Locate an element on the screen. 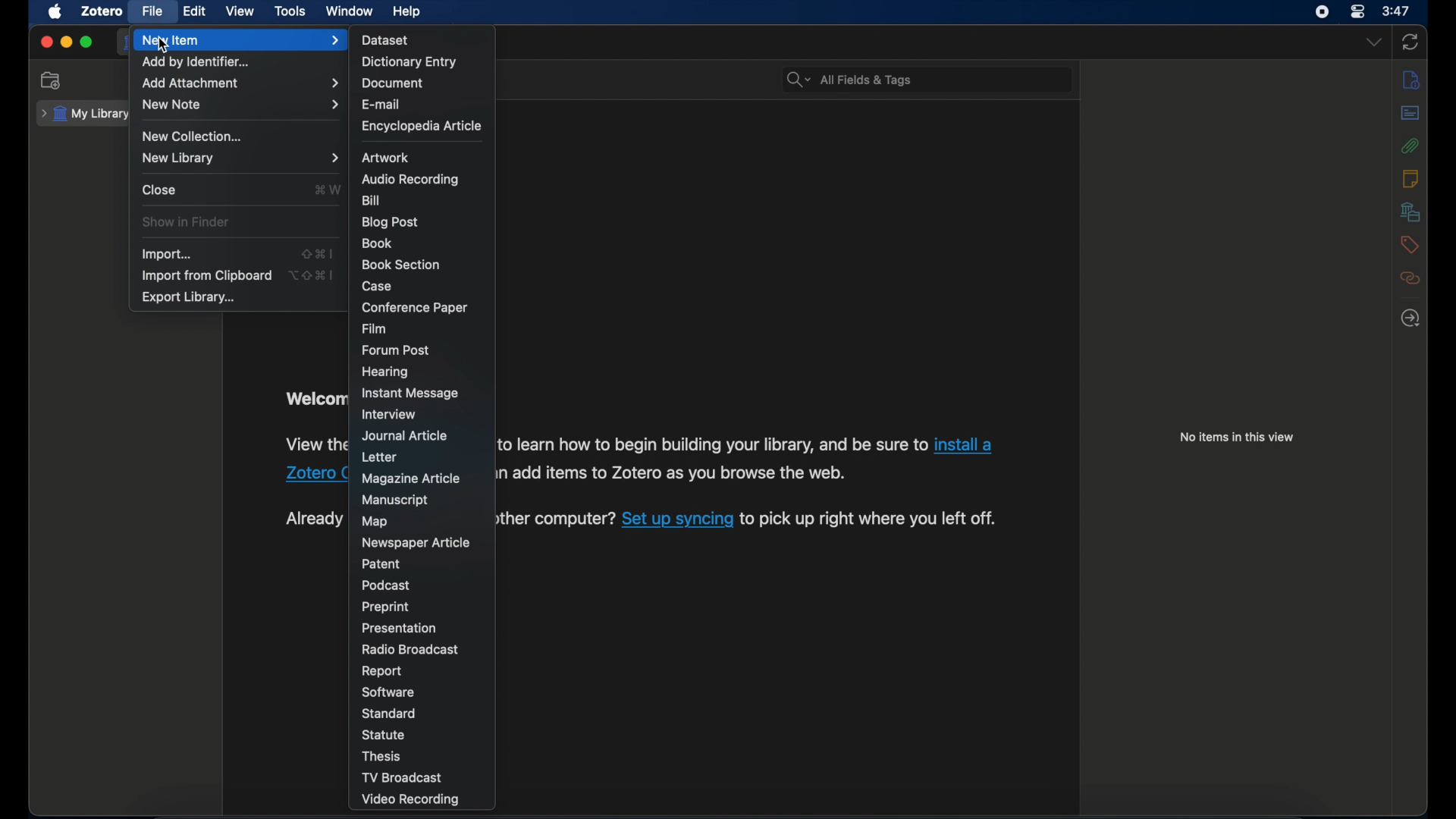 The height and width of the screenshot is (819, 1456). no items in this view is located at coordinates (1236, 437).